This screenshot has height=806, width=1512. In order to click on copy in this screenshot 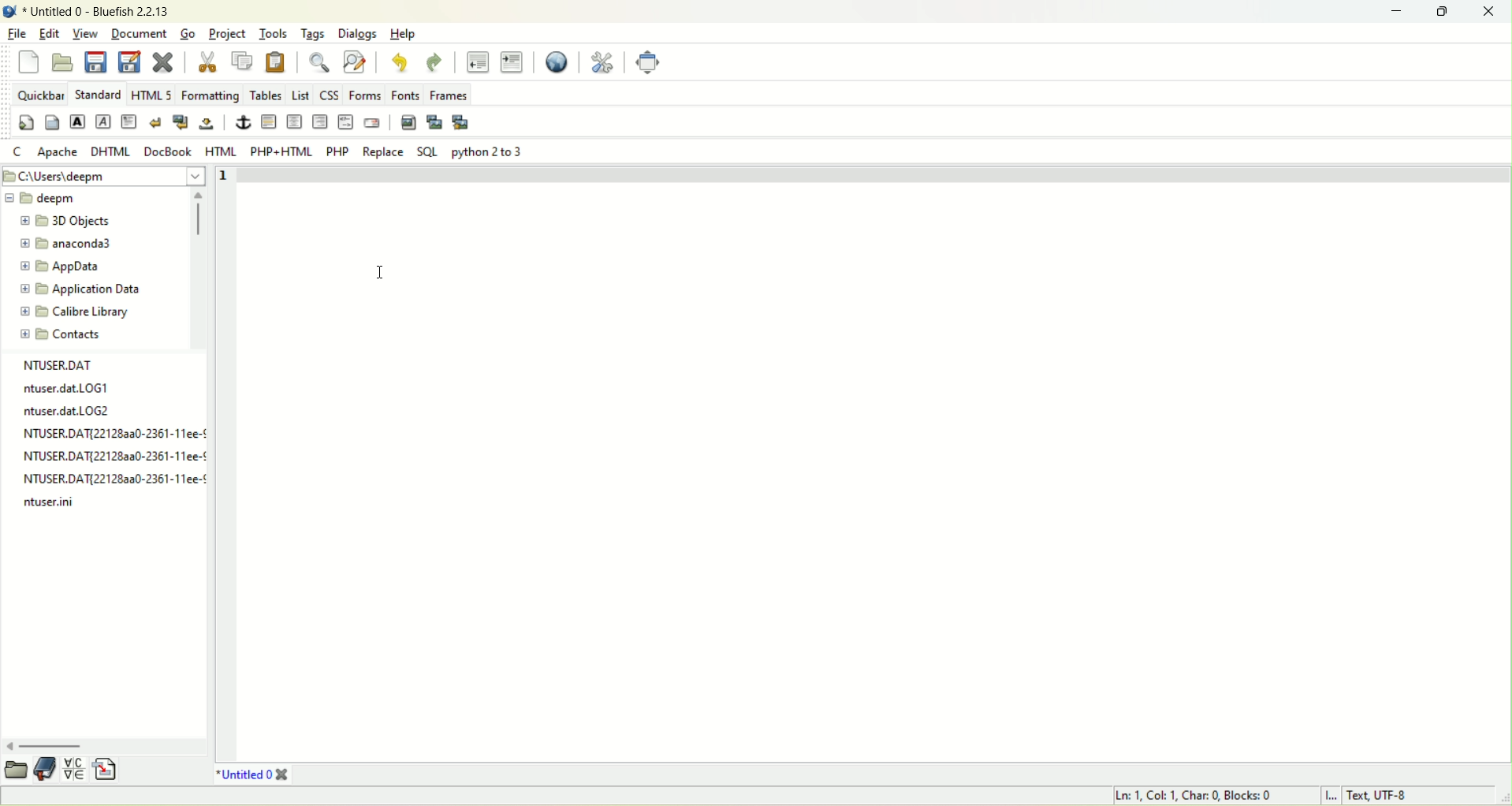, I will do `click(244, 61)`.